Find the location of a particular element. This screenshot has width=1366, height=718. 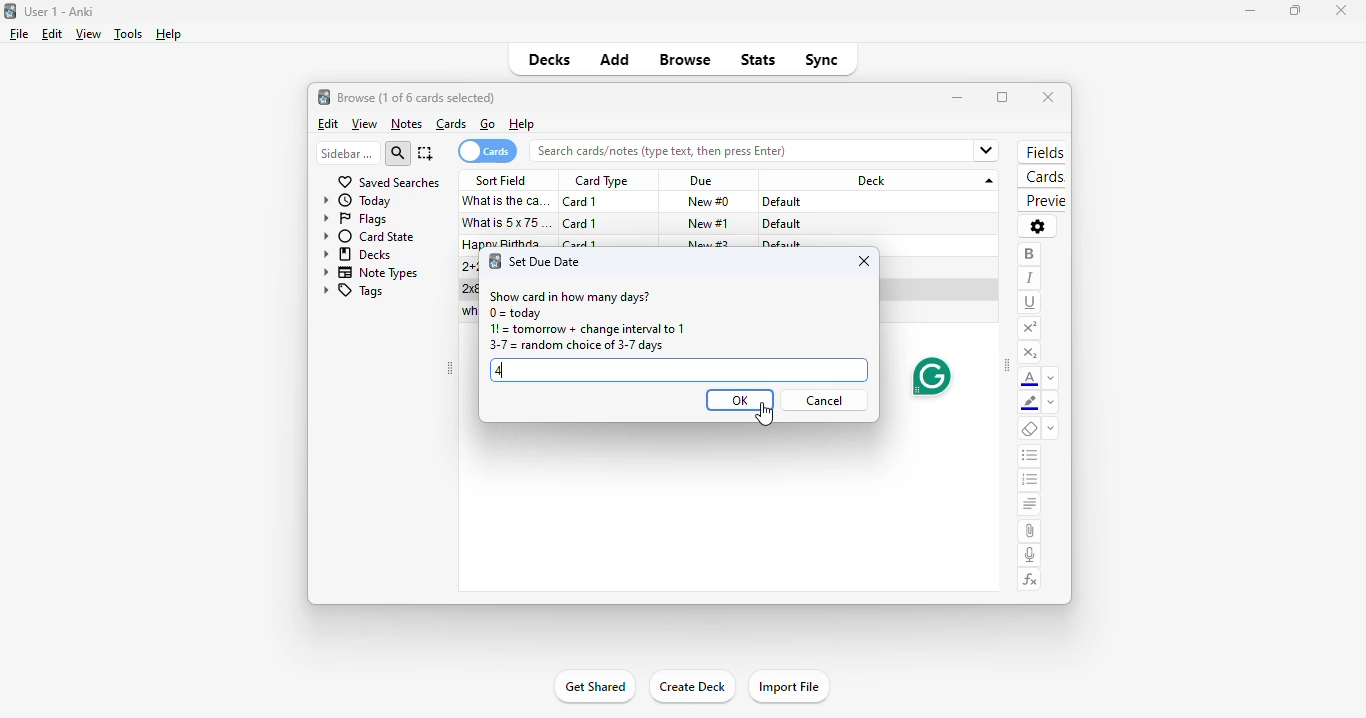

show card in how many days? is located at coordinates (569, 296).